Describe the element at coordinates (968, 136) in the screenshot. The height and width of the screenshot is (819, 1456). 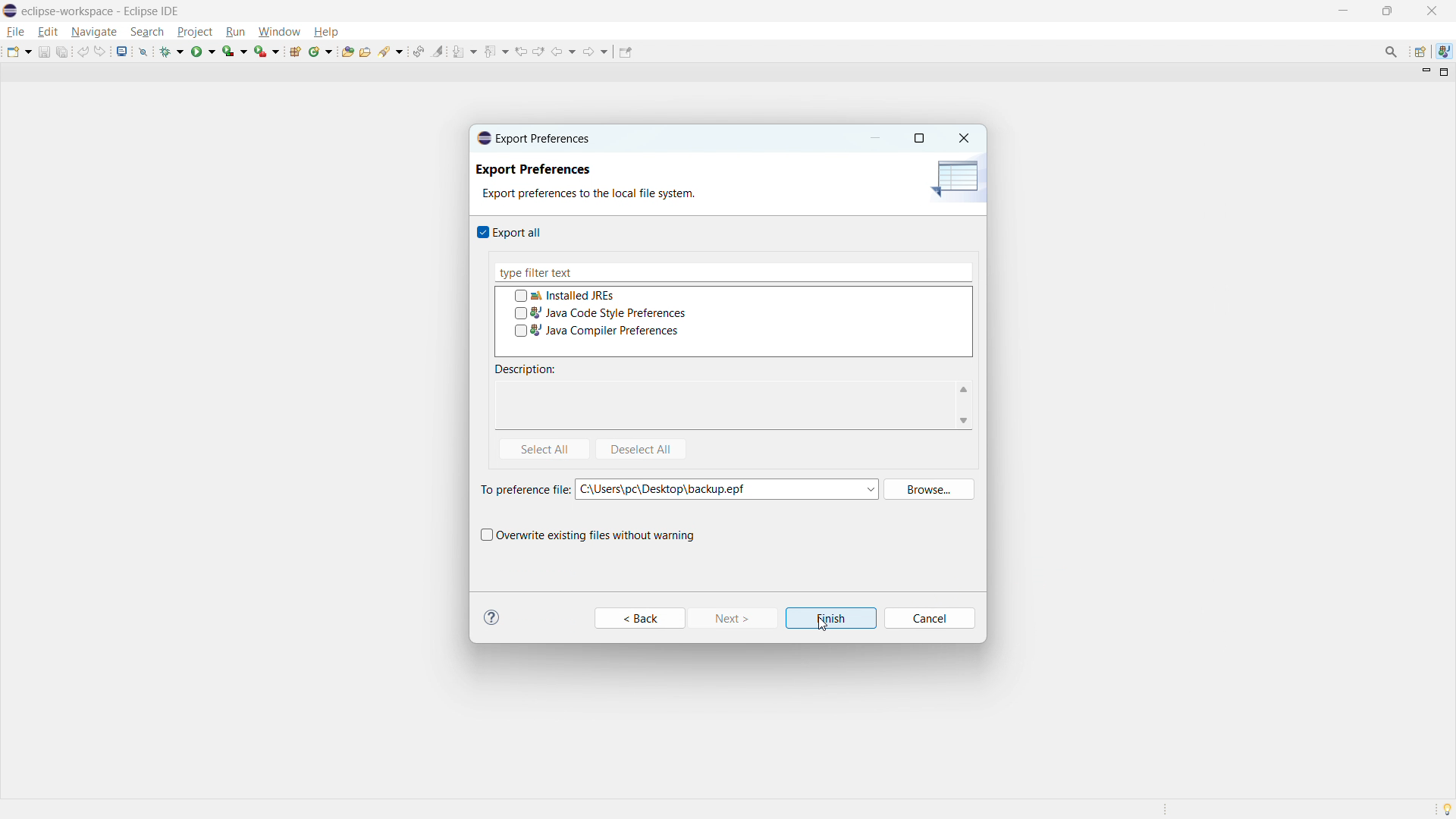
I see `Close` at that location.